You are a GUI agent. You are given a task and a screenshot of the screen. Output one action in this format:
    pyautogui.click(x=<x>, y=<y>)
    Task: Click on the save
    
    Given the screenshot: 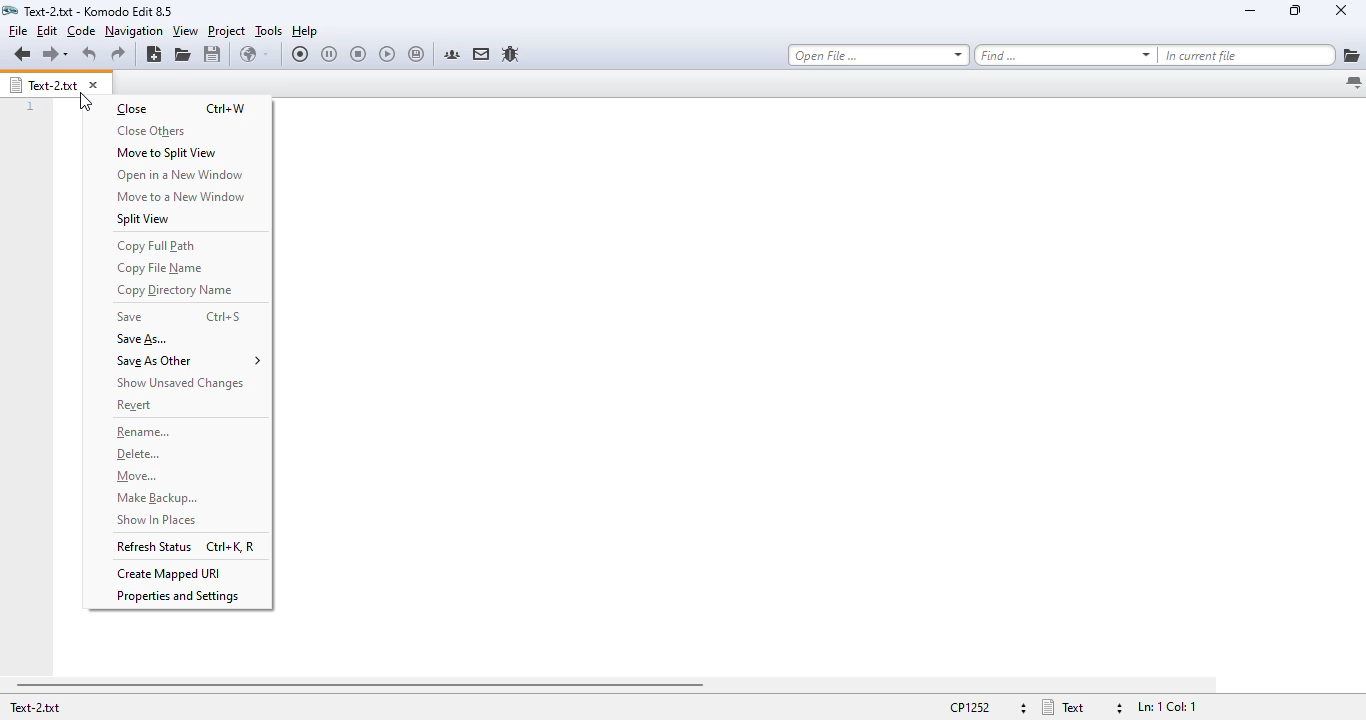 What is the action you would take?
    pyautogui.click(x=131, y=317)
    